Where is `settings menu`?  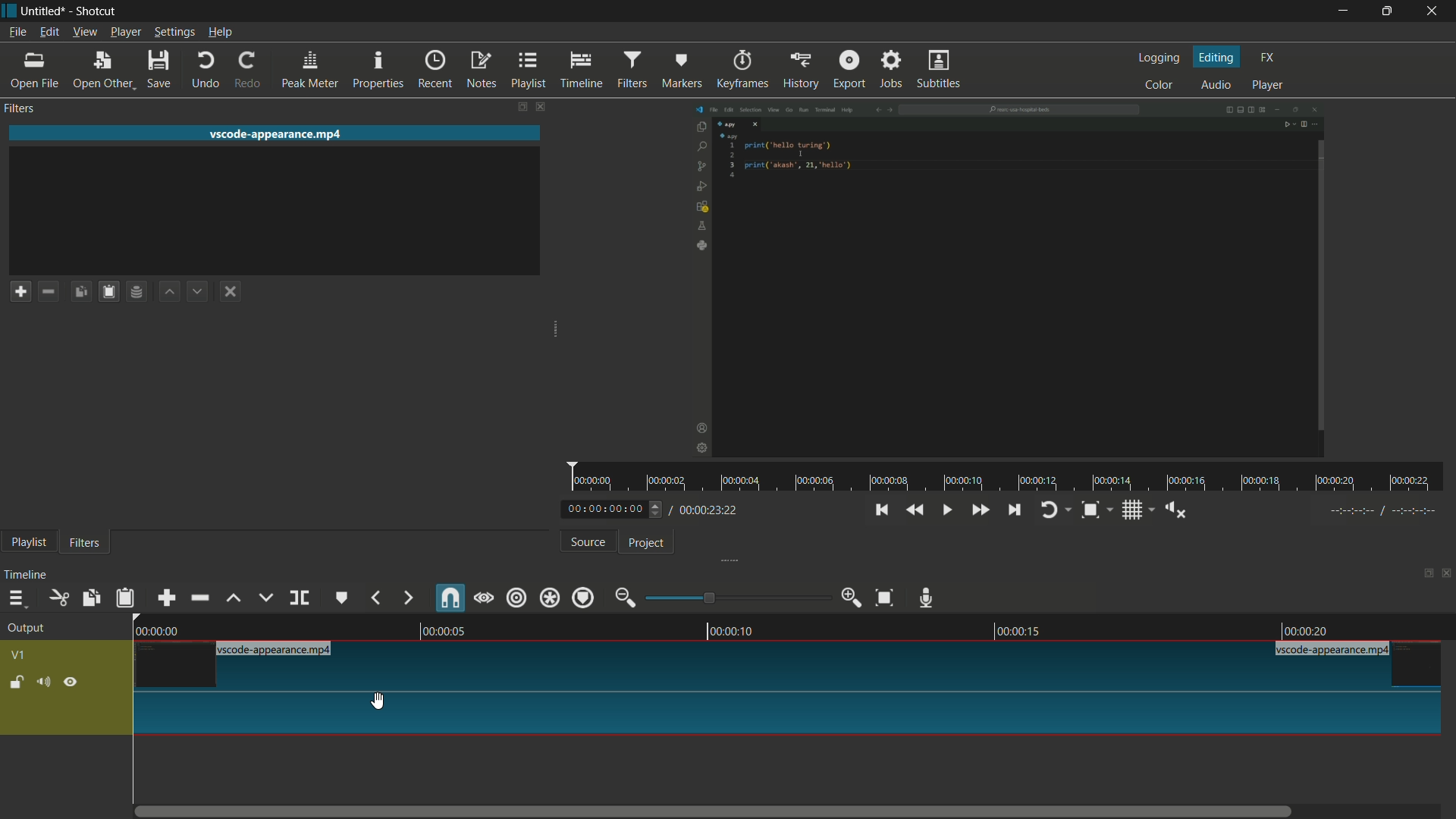
settings menu is located at coordinates (174, 32).